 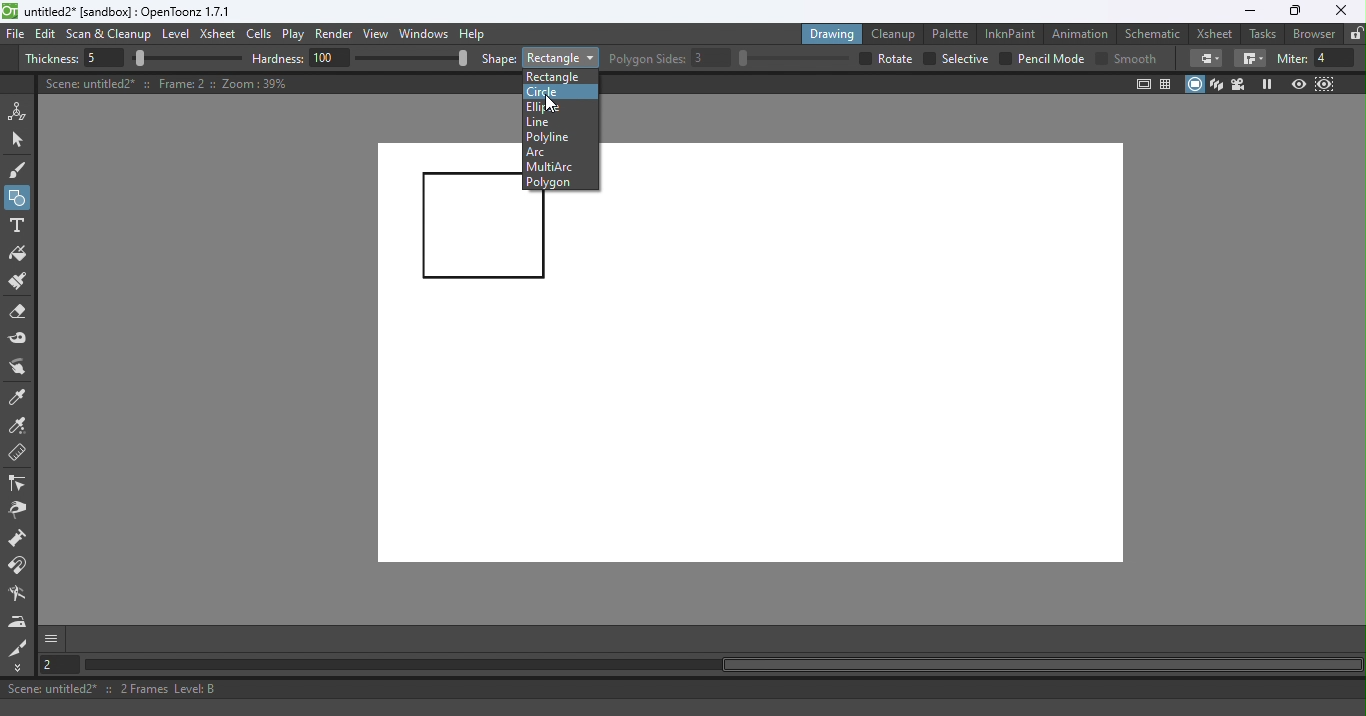 I want to click on Iron tool, so click(x=20, y=621).